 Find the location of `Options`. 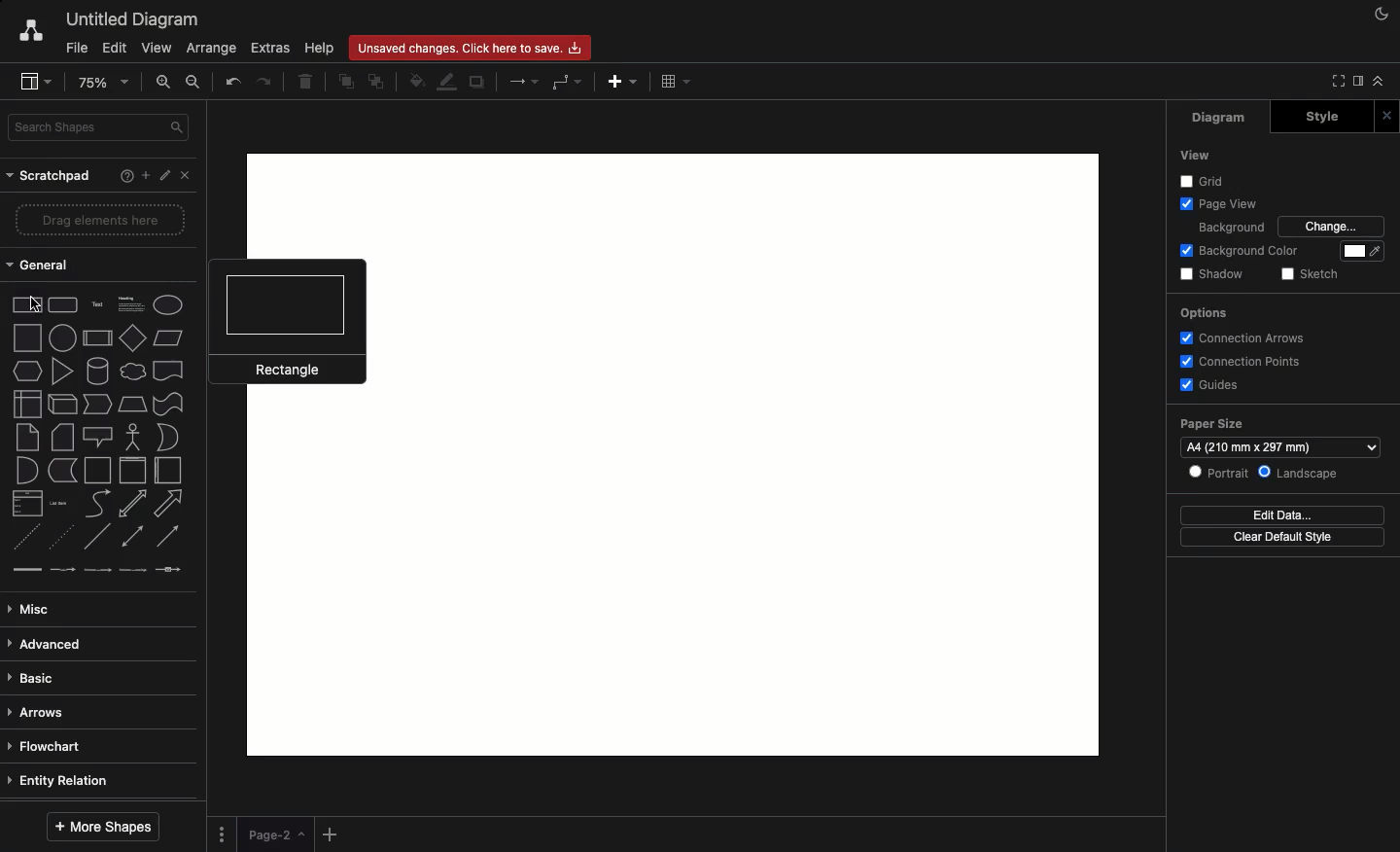

Options is located at coordinates (224, 835).